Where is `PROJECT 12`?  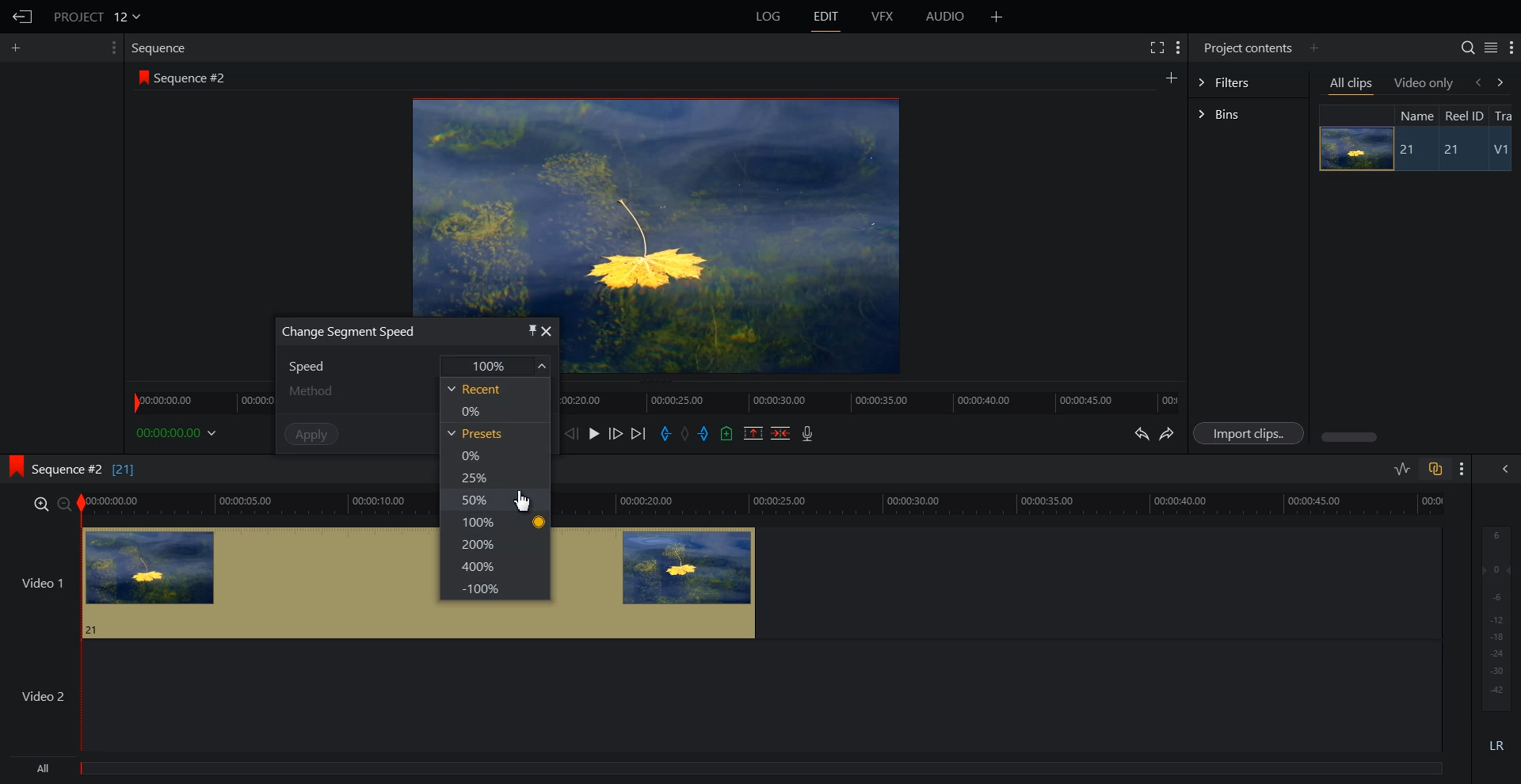
PROJECT 12 is located at coordinates (97, 16).